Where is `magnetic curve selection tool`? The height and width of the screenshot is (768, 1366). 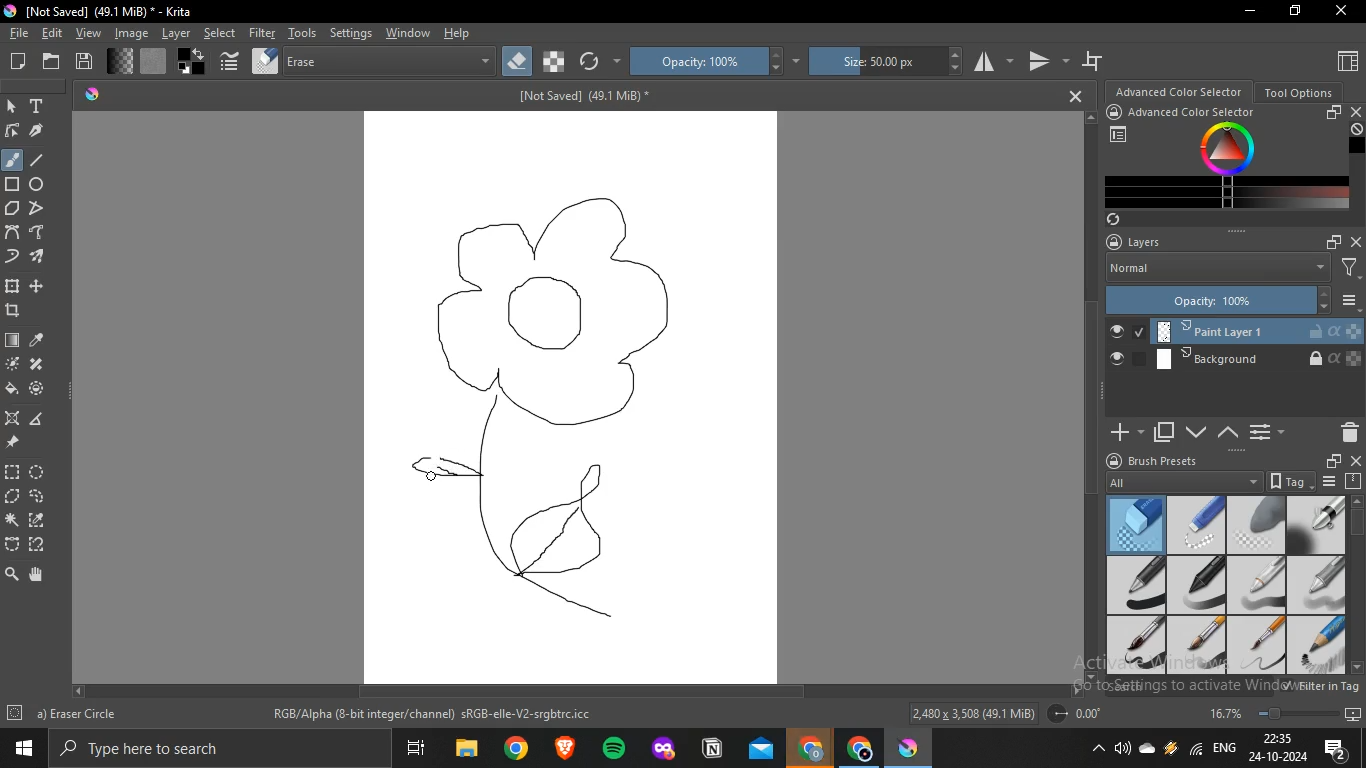
magnetic curve selection tool is located at coordinates (39, 544).